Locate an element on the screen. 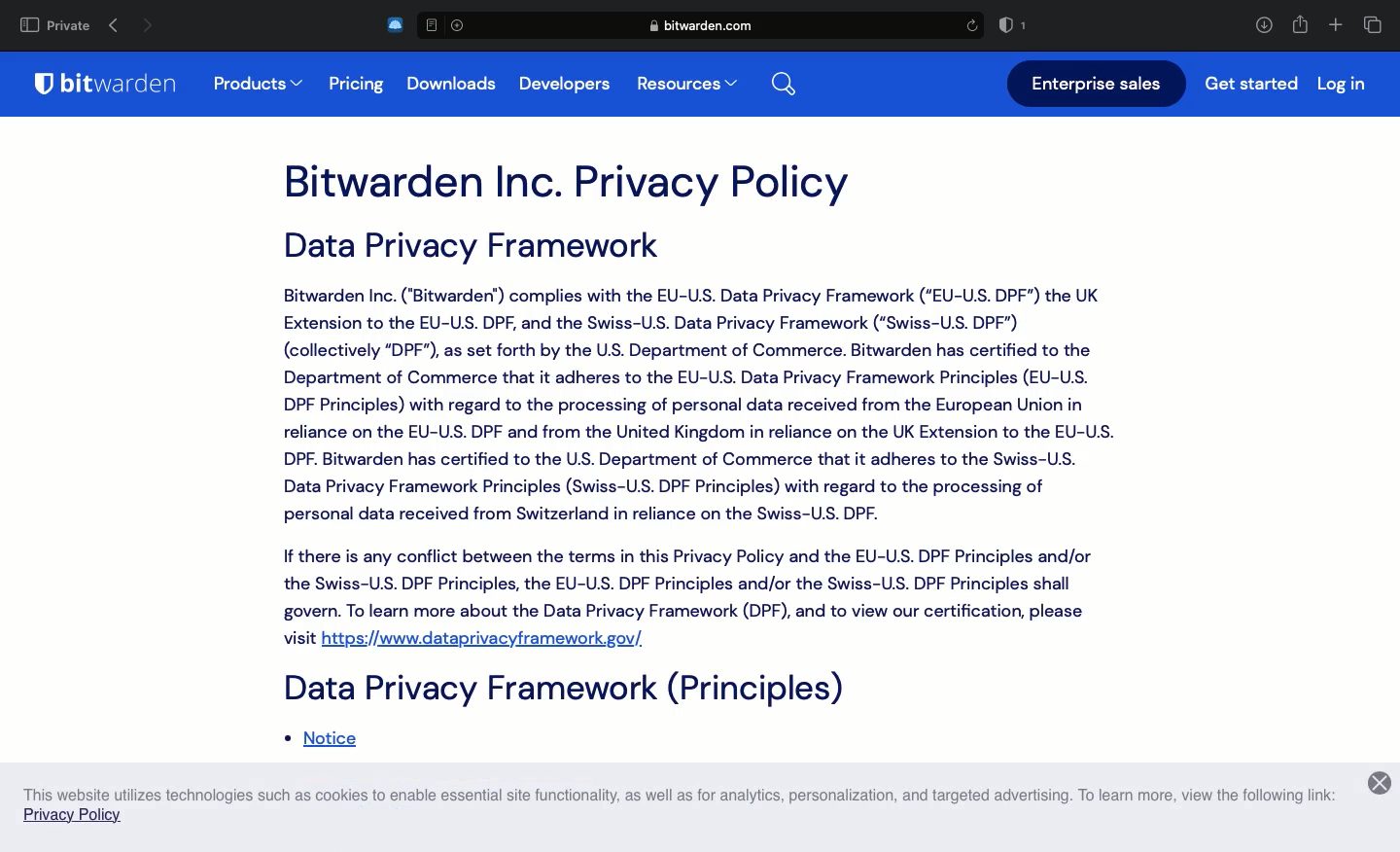  developers is located at coordinates (571, 88).